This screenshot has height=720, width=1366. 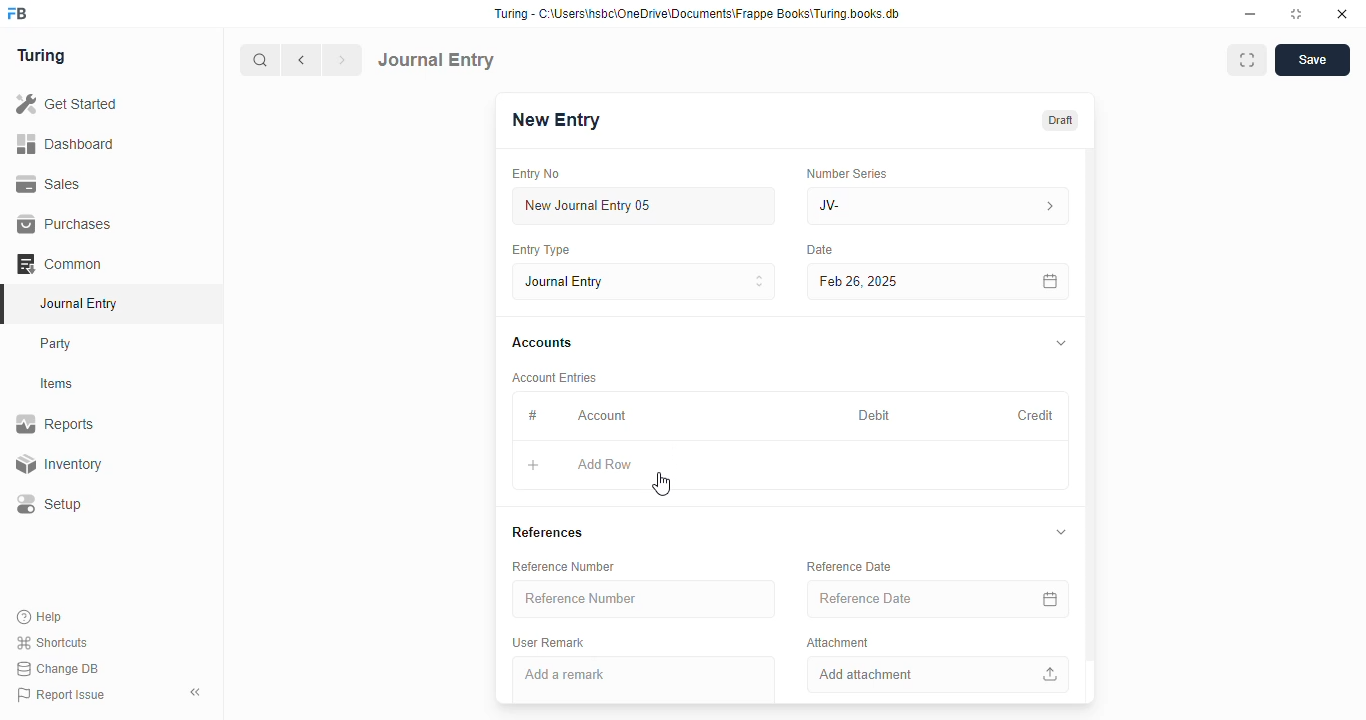 I want to click on number series, so click(x=846, y=173).